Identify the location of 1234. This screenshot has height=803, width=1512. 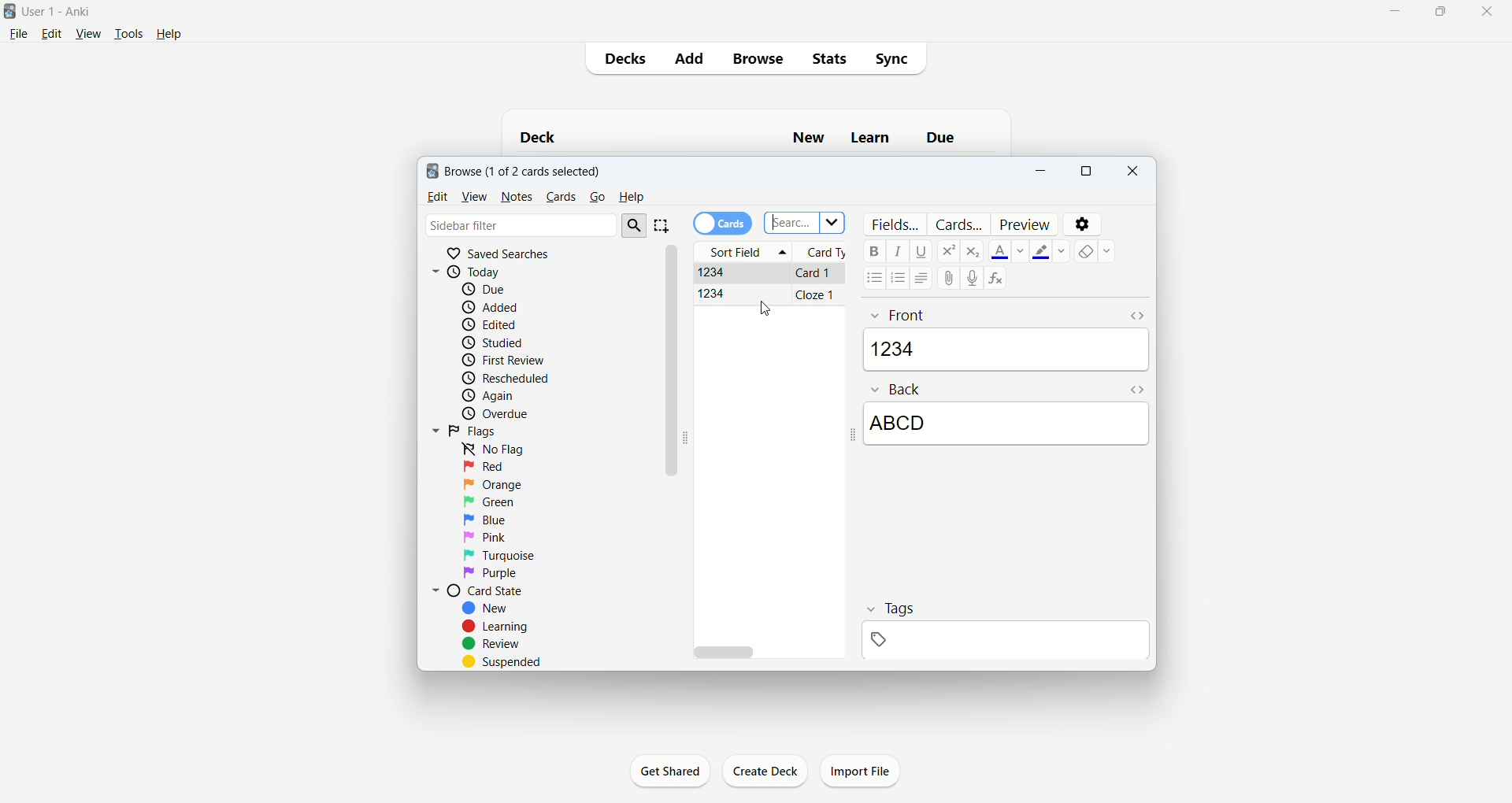
(1008, 351).